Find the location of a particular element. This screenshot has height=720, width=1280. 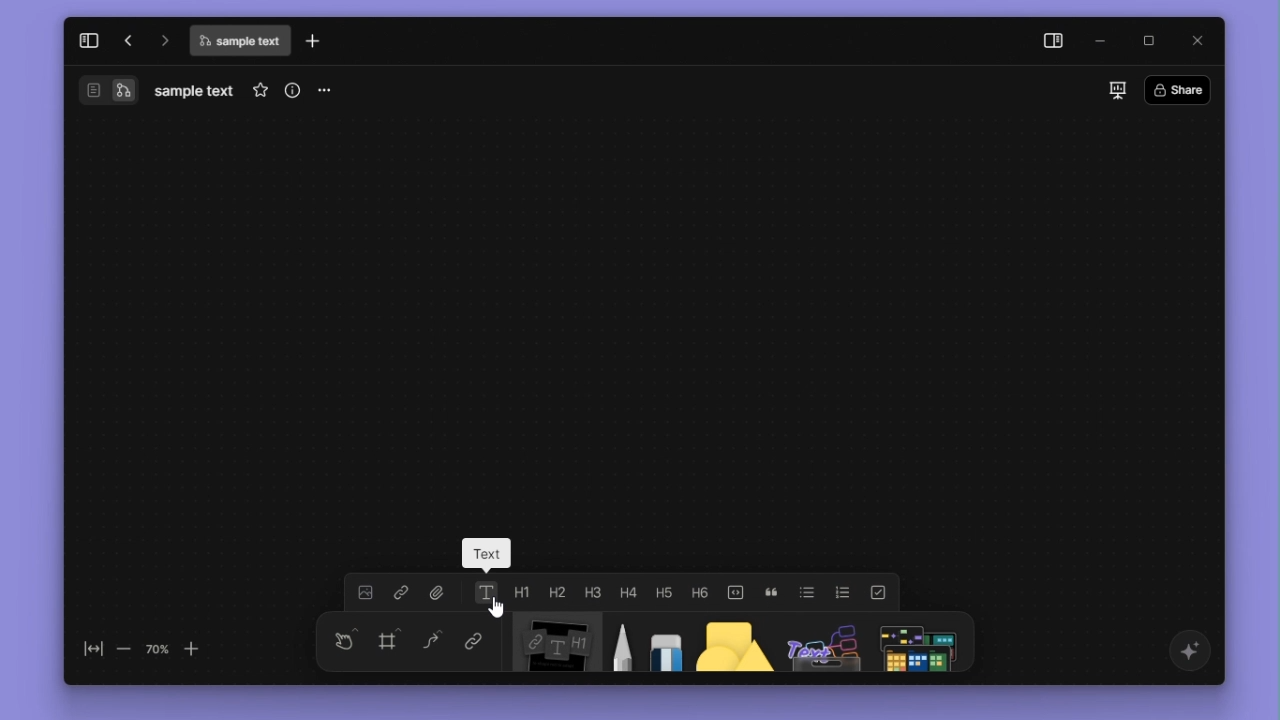

more info is located at coordinates (289, 90).